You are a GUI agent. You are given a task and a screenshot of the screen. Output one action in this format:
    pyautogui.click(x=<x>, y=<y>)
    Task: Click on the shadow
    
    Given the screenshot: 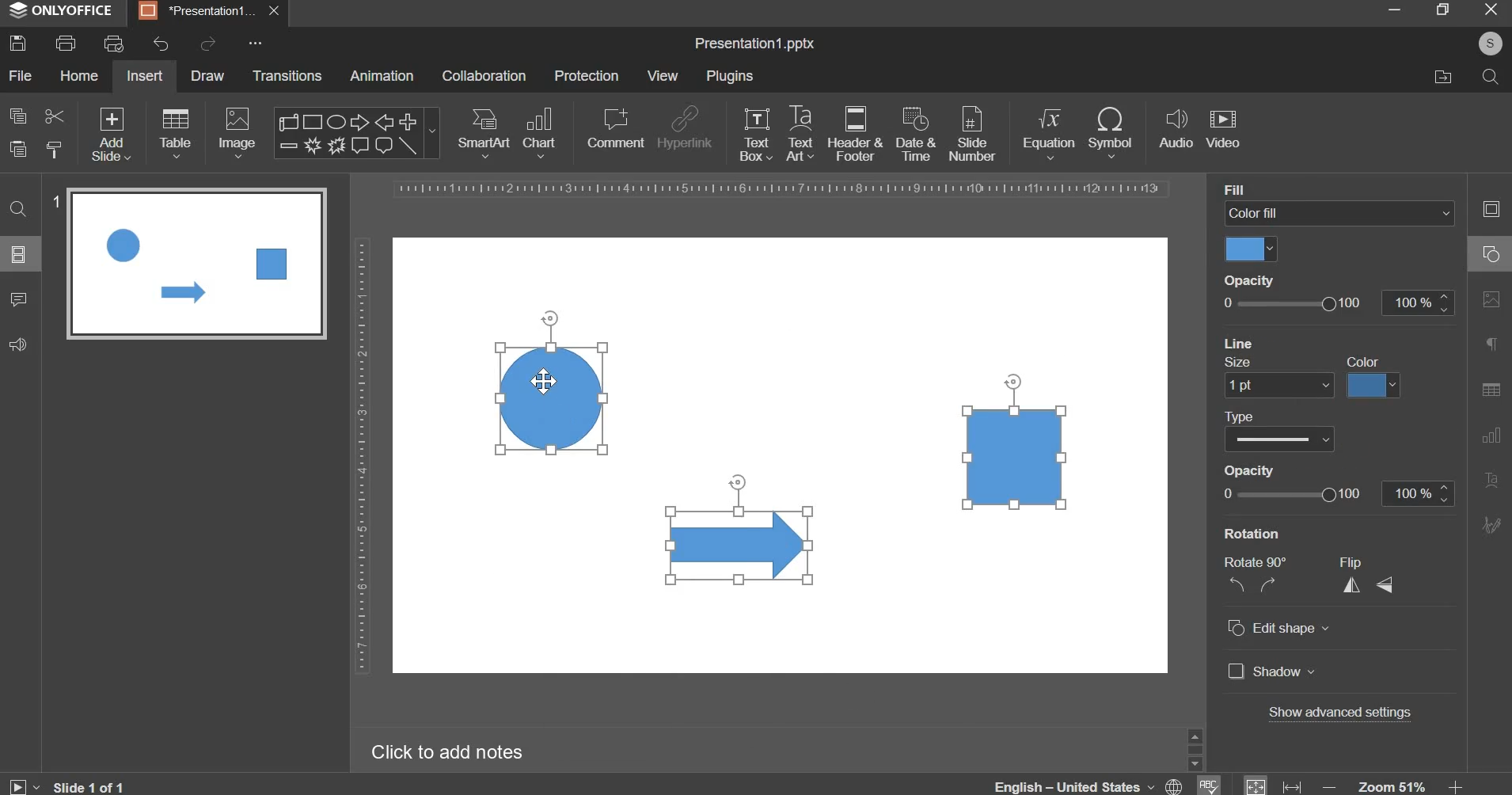 What is the action you would take?
    pyautogui.click(x=1271, y=671)
    